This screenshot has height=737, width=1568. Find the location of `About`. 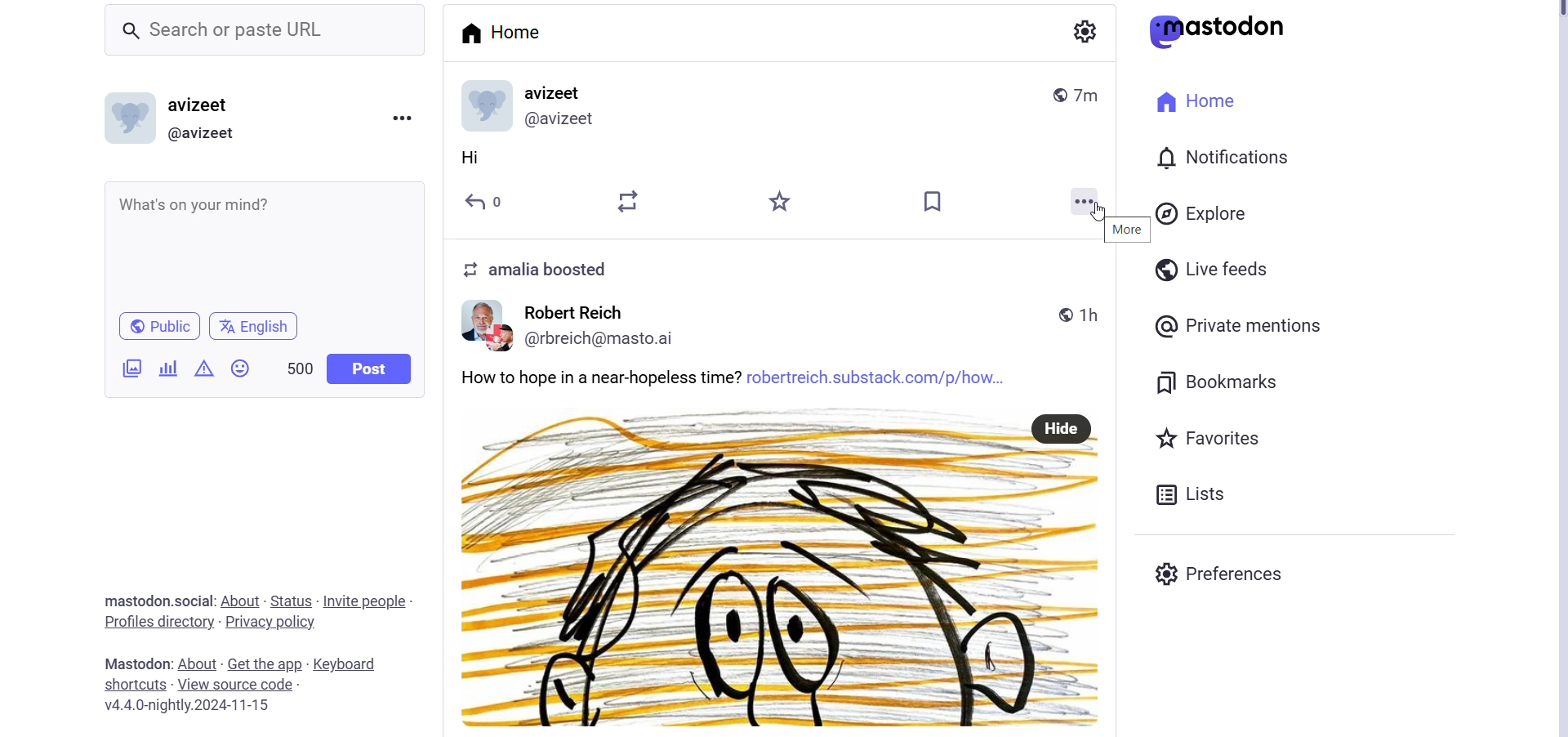

About is located at coordinates (196, 663).